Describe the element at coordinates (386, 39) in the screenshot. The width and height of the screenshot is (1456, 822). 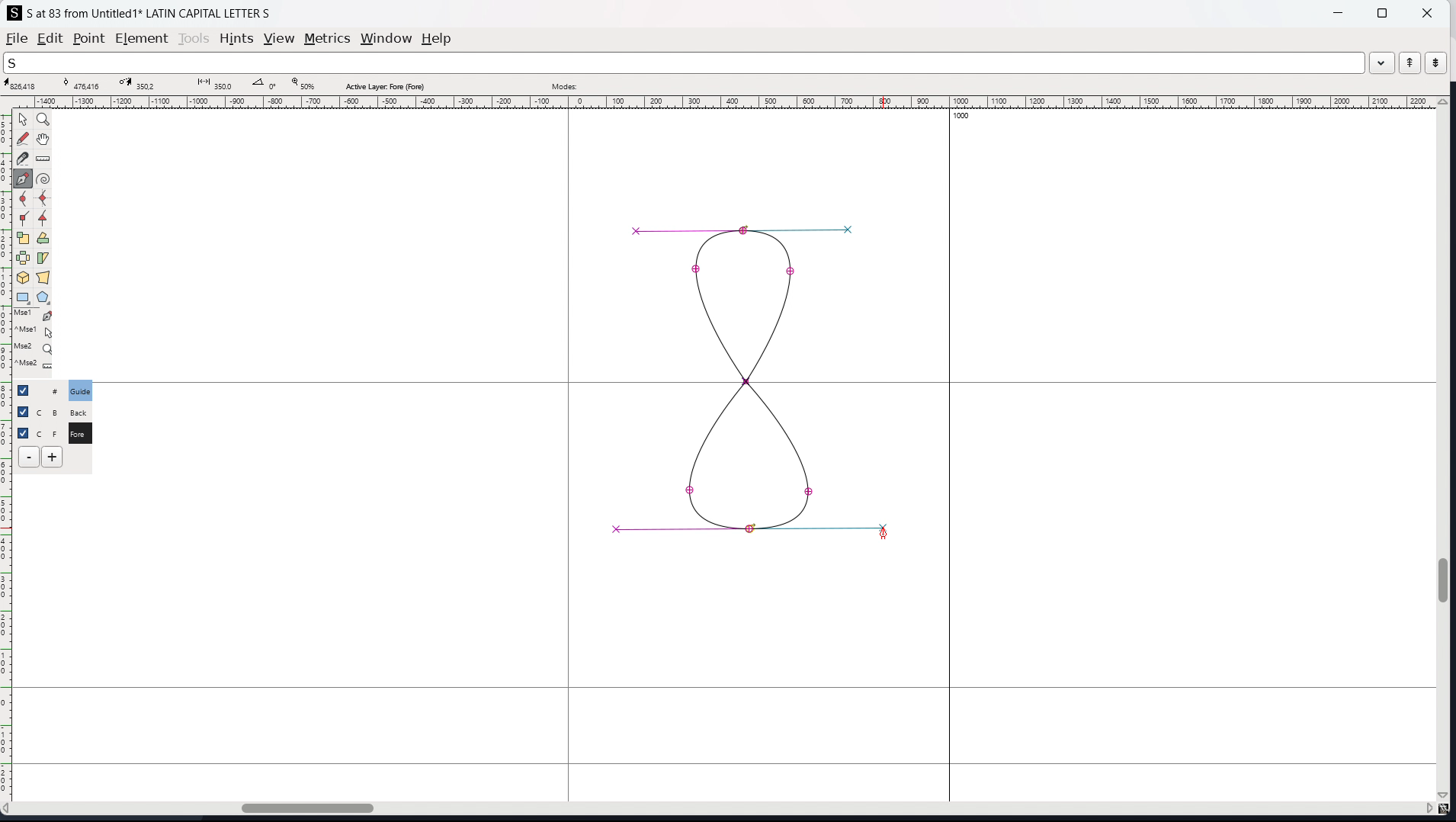
I see `window` at that location.